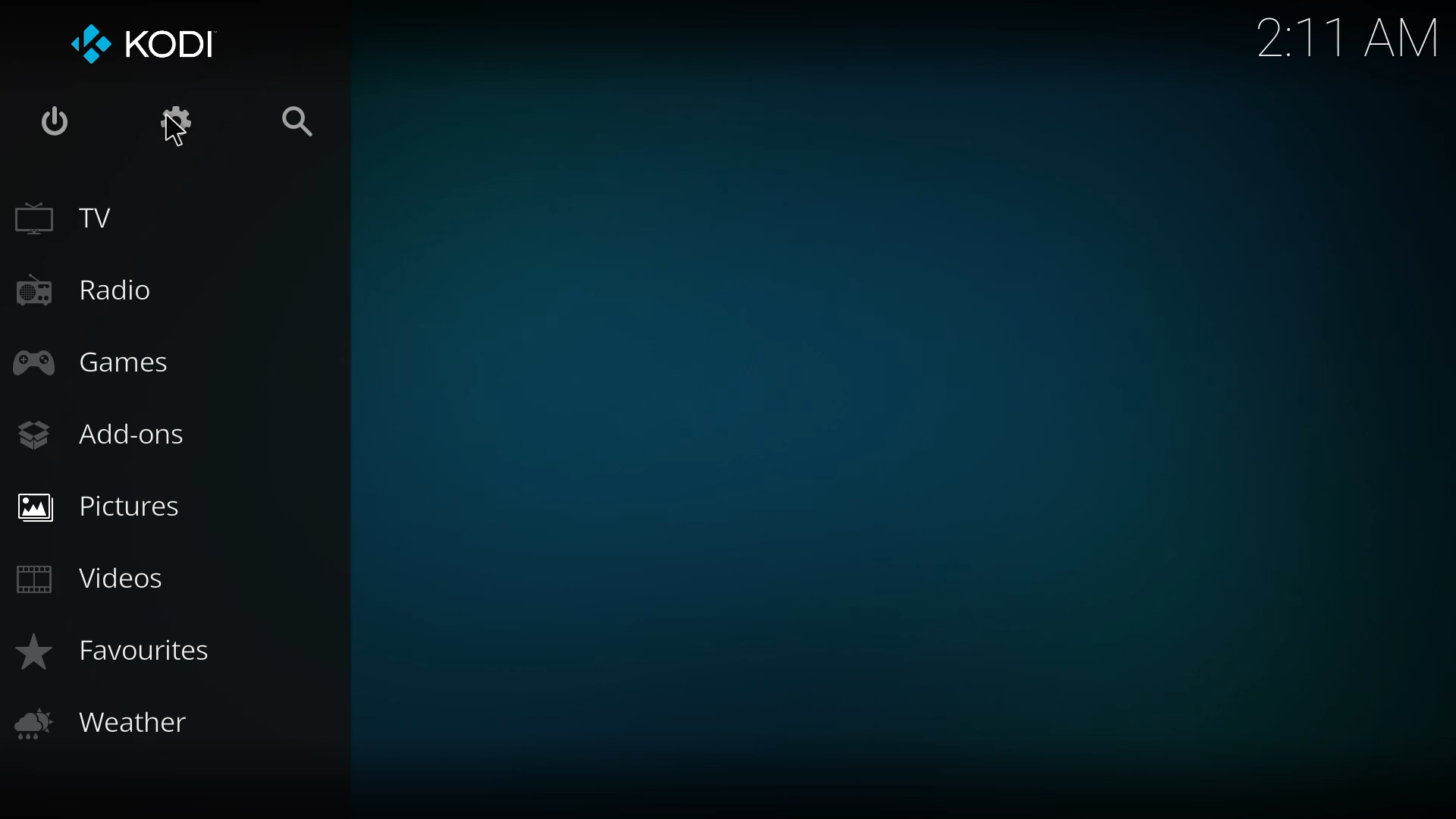 Image resolution: width=1456 pixels, height=819 pixels. What do you see at coordinates (102, 507) in the screenshot?
I see `pictures` at bounding box center [102, 507].